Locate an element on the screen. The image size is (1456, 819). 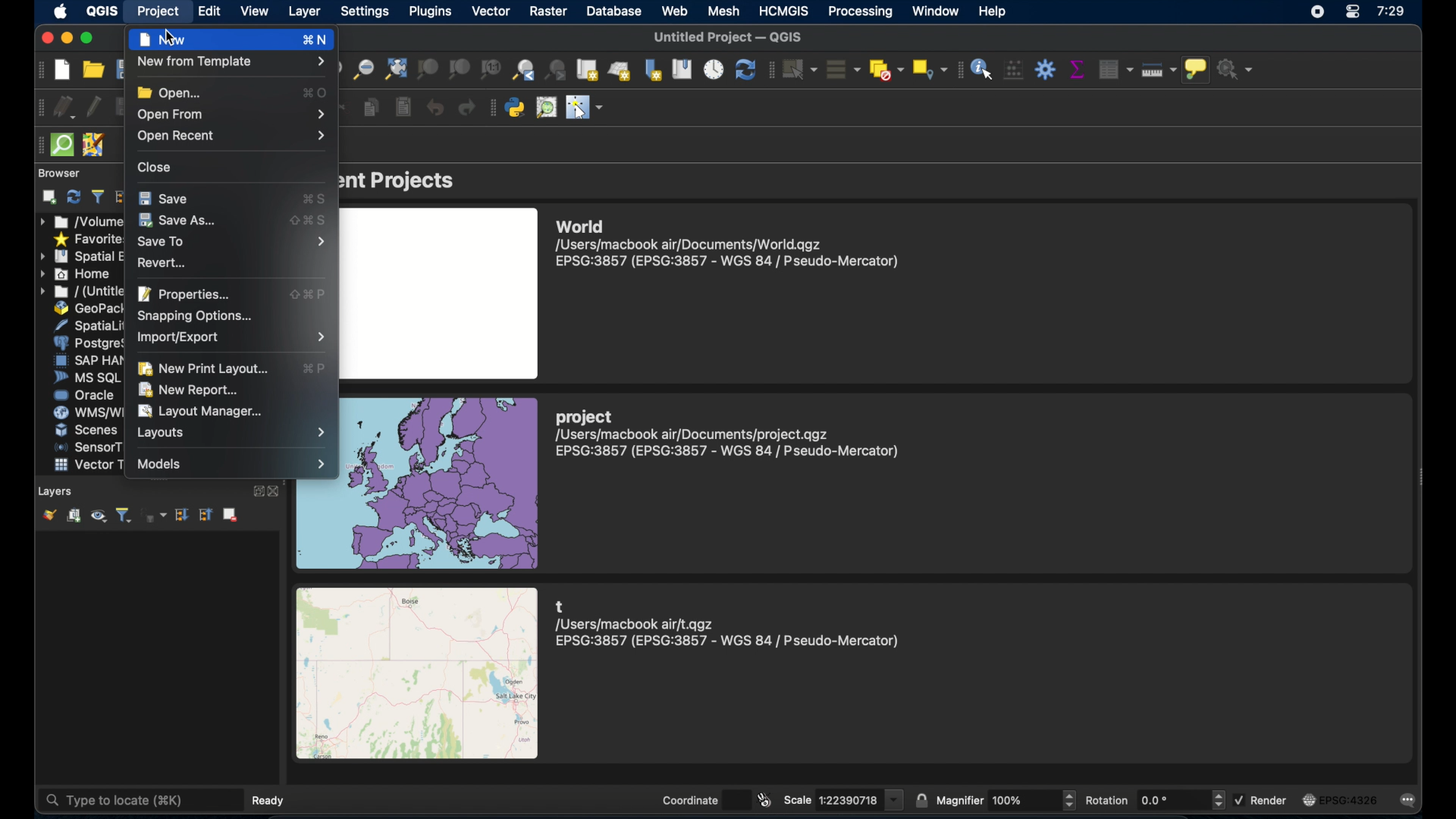
icon is located at coordinates (63, 273).